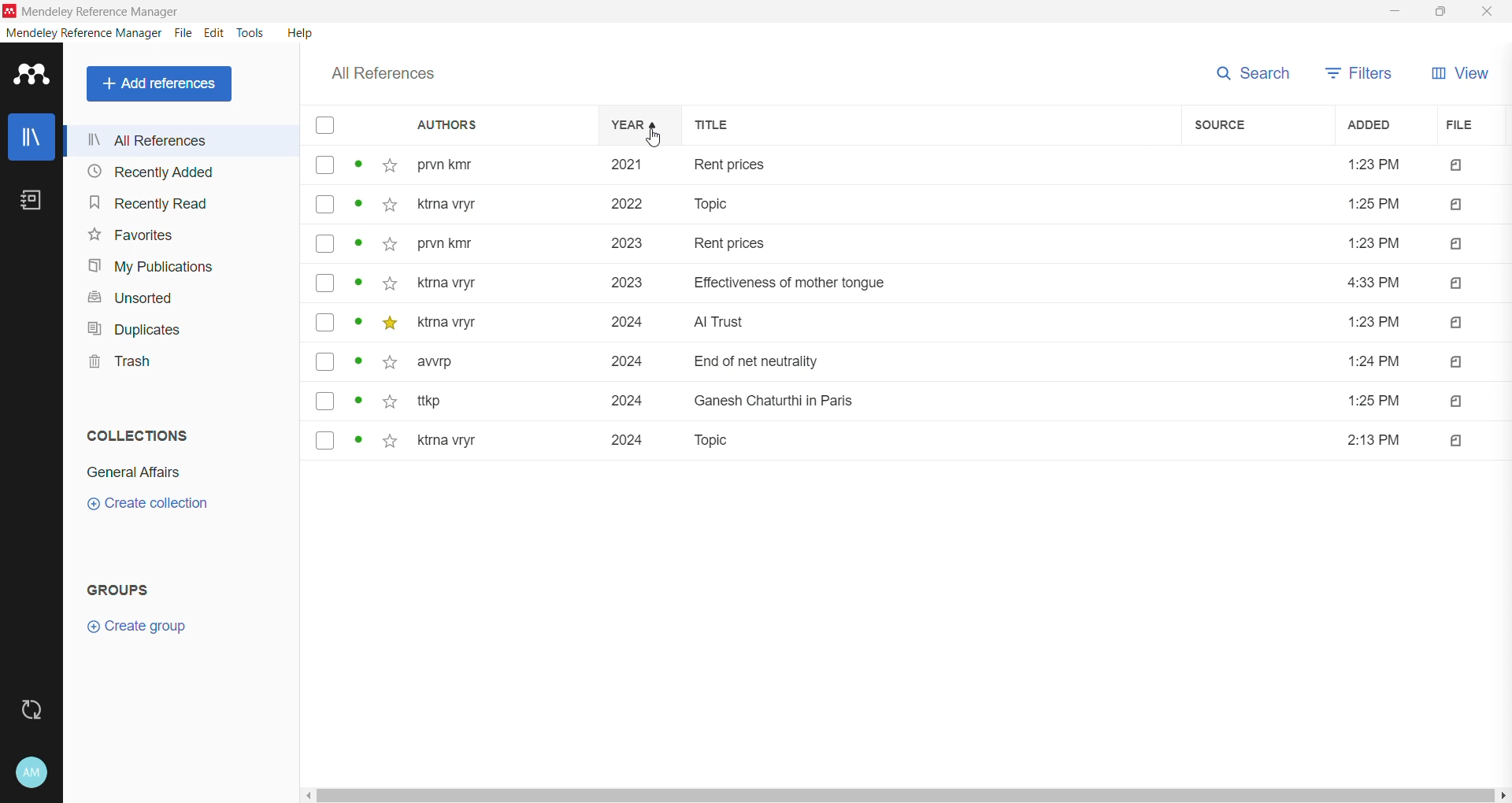 Image resolution: width=1512 pixels, height=803 pixels. Describe the element at coordinates (654, 138) in the screenshot. I see `cursor` at that location.